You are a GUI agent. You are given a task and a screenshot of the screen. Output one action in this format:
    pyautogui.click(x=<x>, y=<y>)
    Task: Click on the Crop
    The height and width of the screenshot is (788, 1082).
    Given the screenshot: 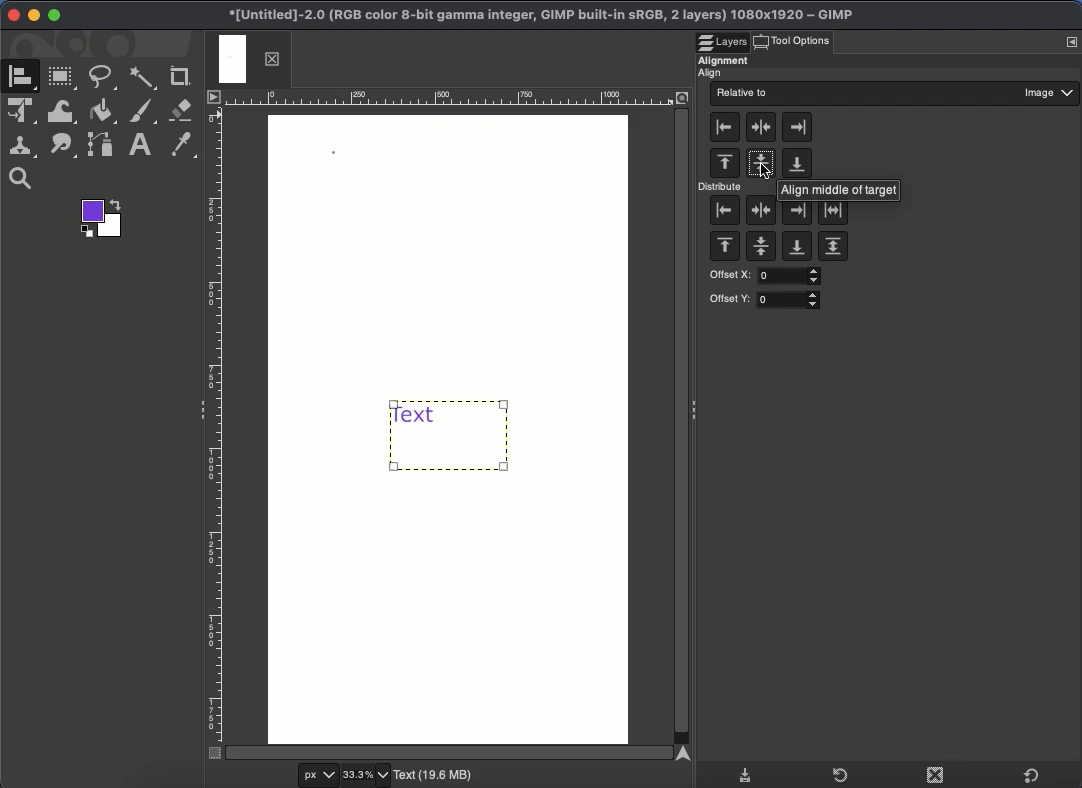 What is the action you would take?
    pyautogui.click(x=180, y=76)
    